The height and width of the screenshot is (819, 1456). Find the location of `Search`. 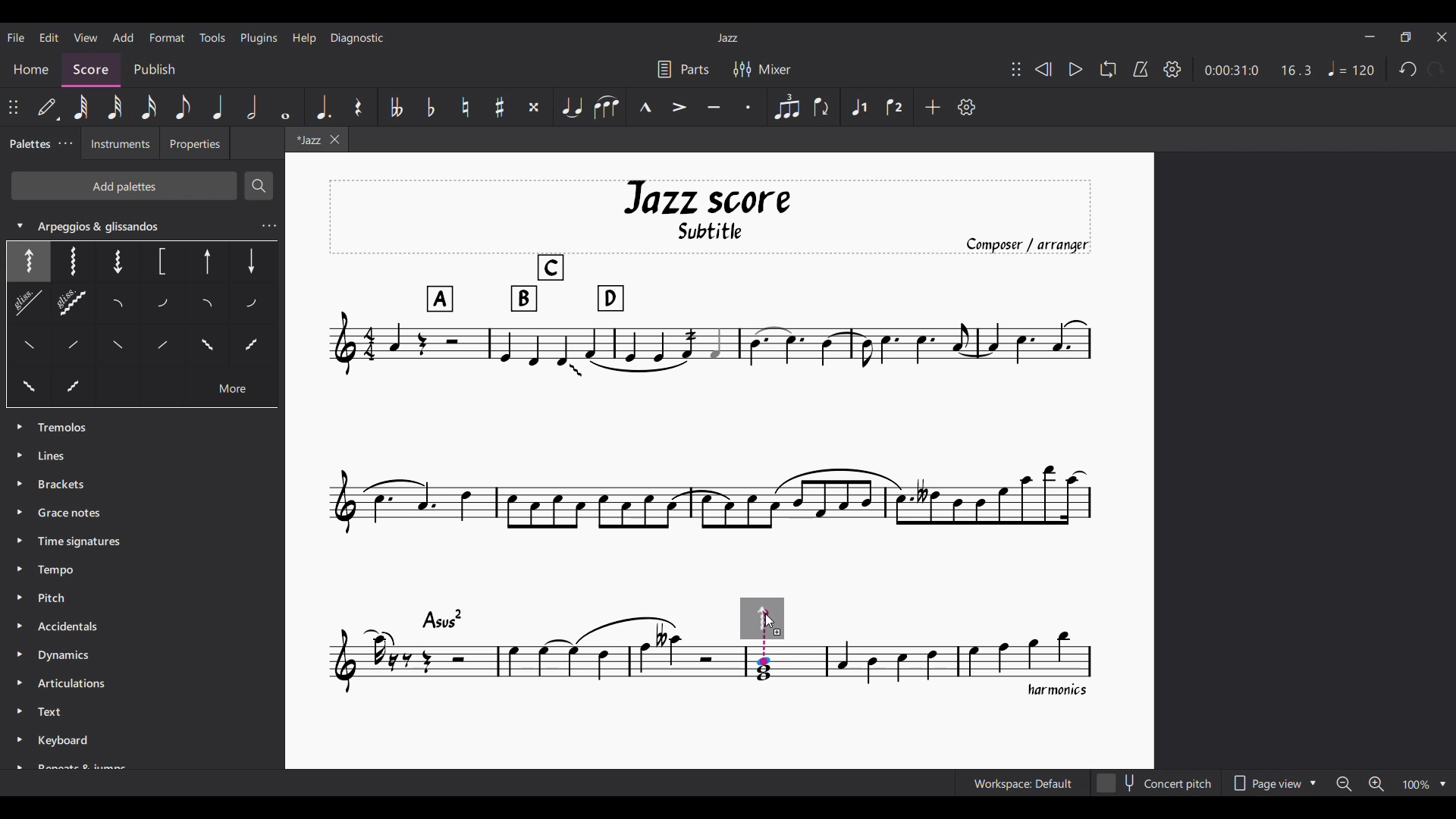

Search is located at coordinates (259, 186).